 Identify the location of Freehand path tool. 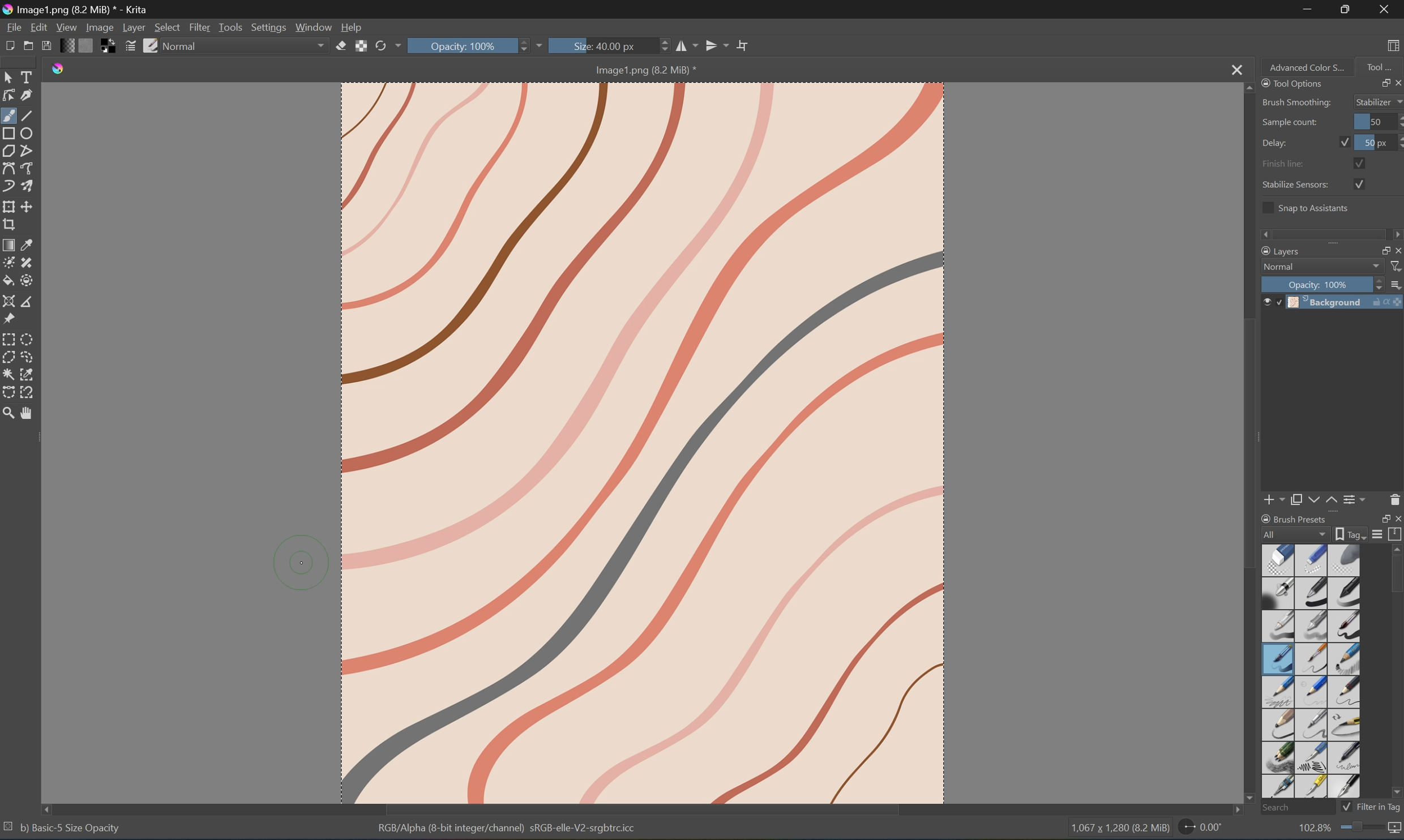
(29, 166).